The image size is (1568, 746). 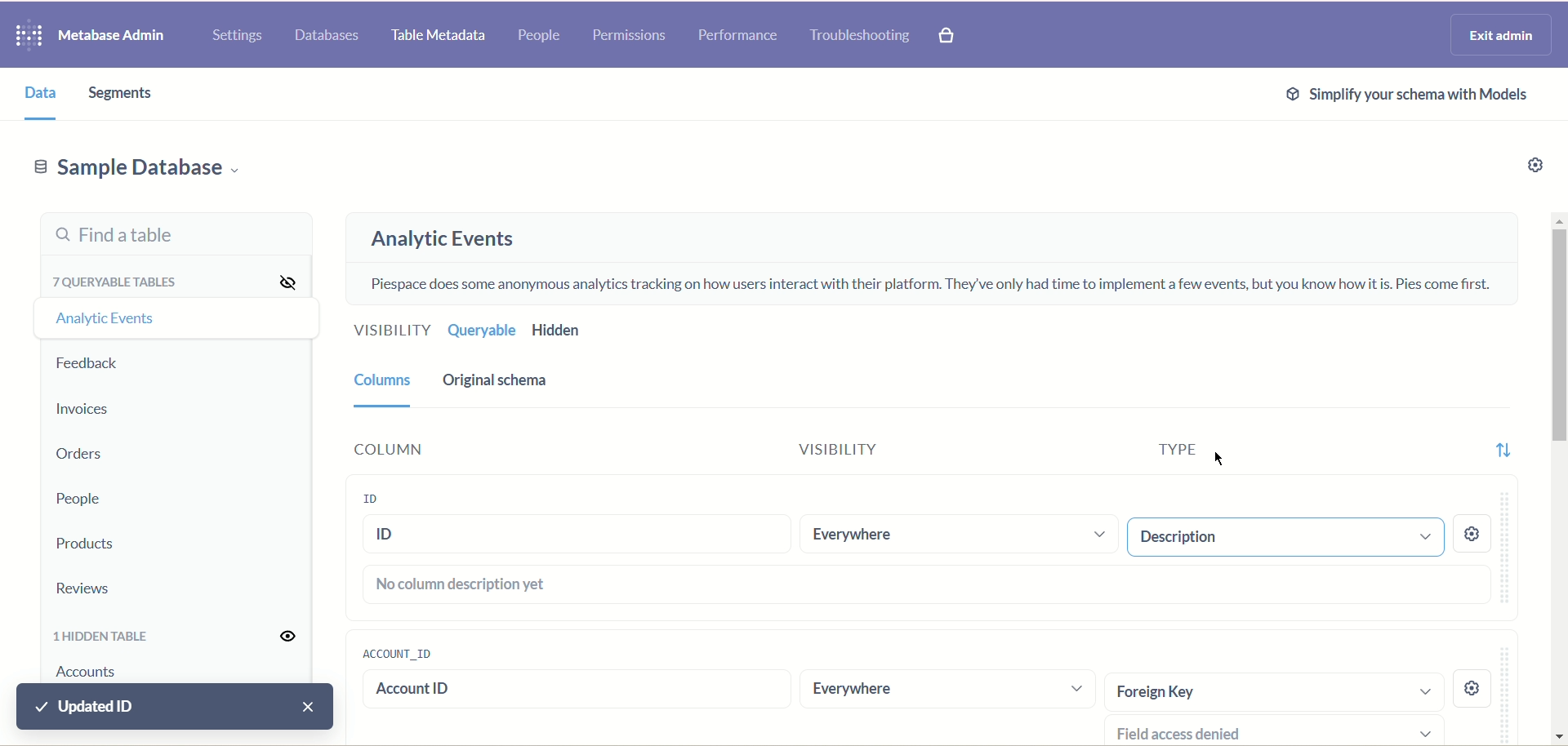 I want to click on hidden, so click(x=587, y=332).